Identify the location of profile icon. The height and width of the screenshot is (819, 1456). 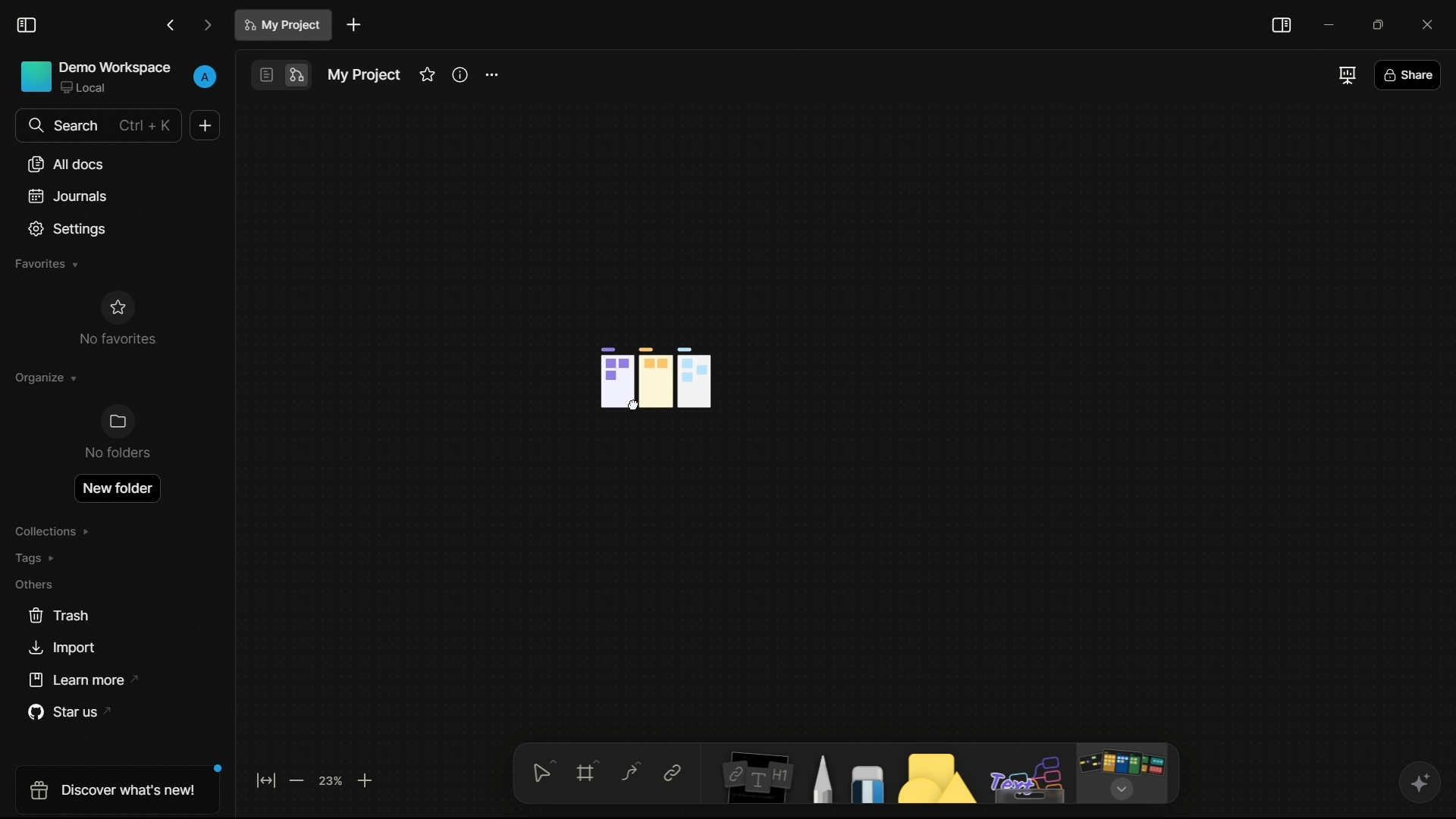
(206, 74).